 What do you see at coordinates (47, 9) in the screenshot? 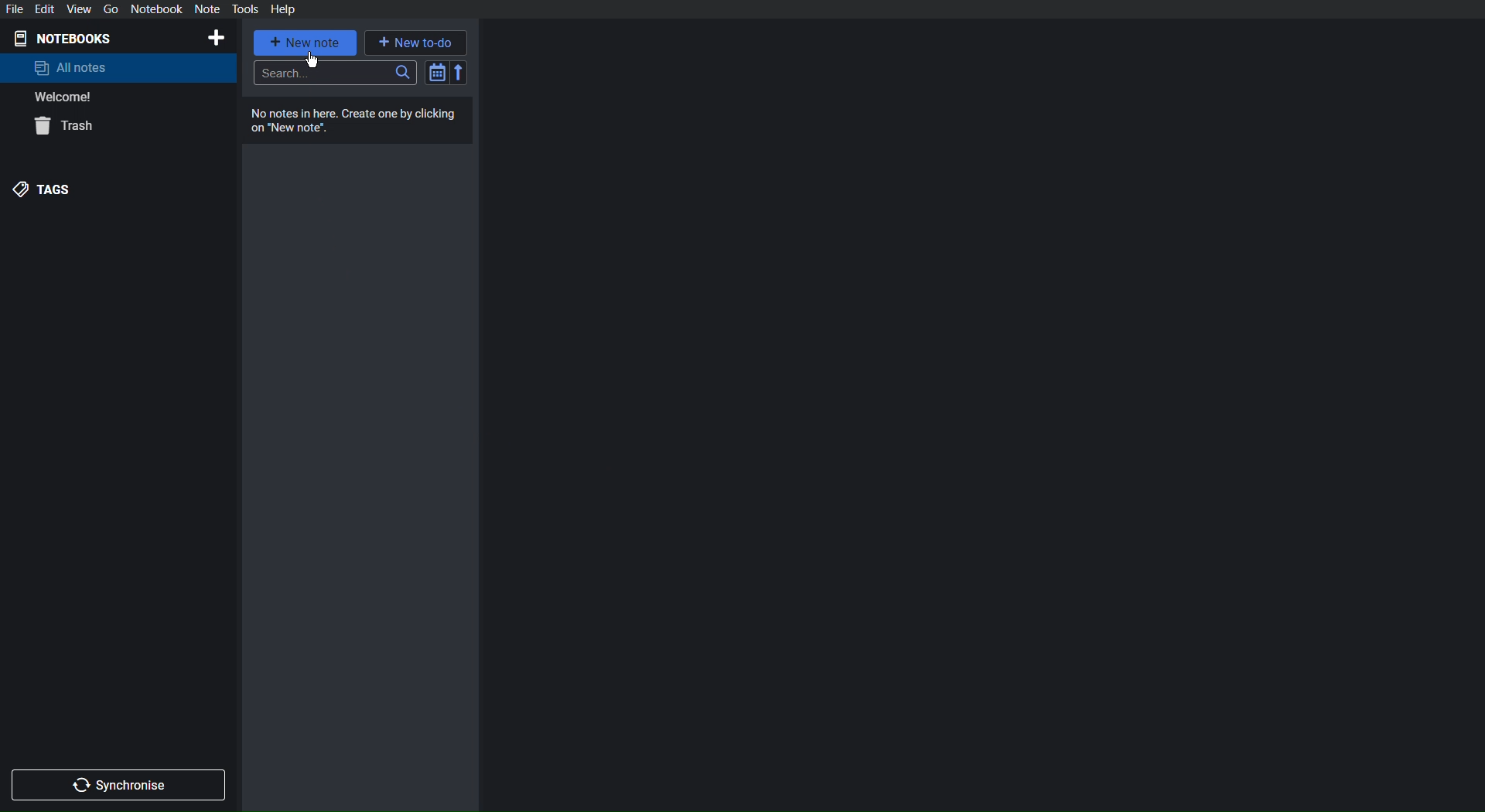
I see `Edit` at bounding box center [47, 9].